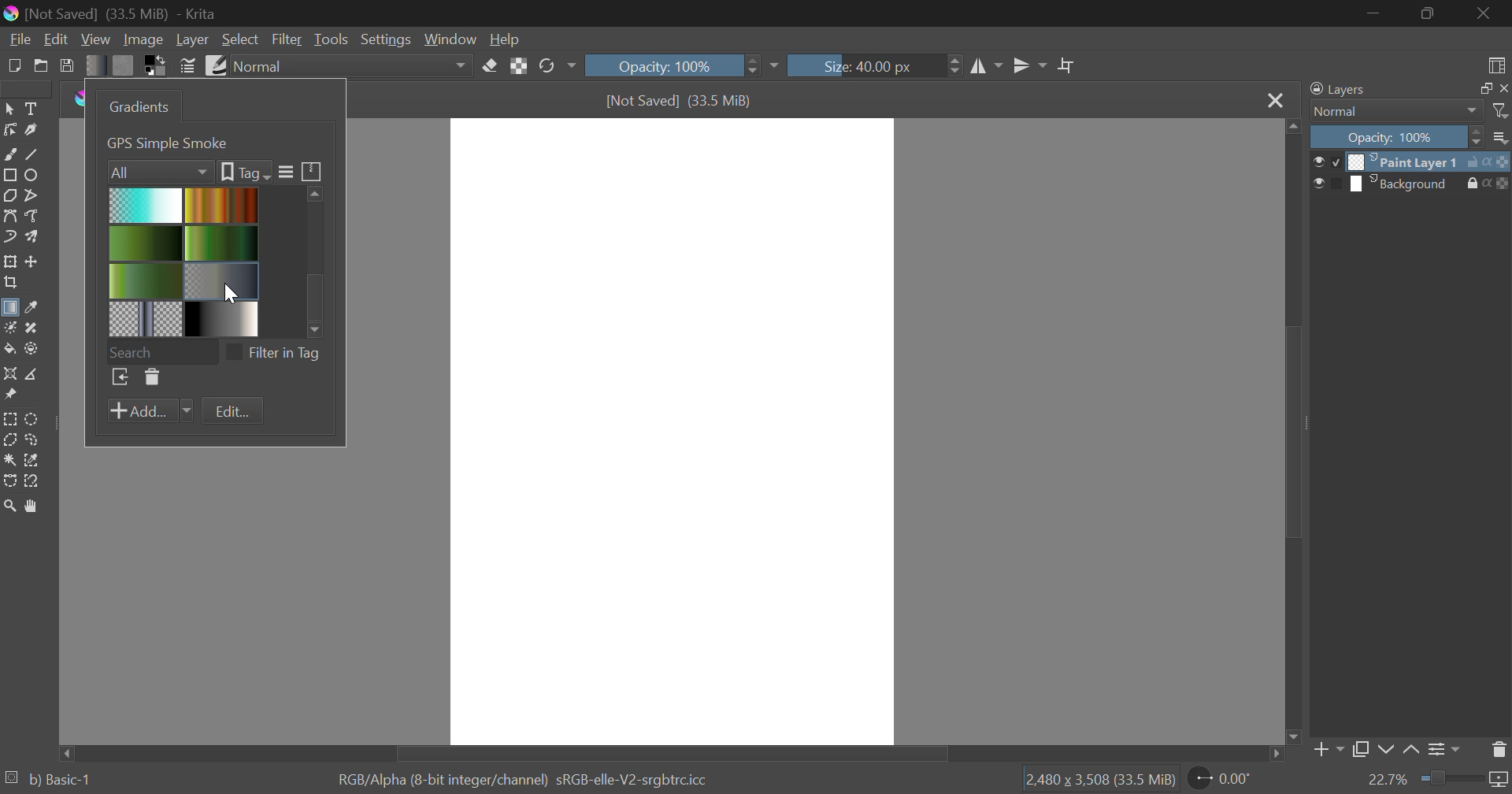 The height and width of the screenshot is (794, 1512). What do you see at coordinates (1328, 163) in the screenshot?
I see `preview` at bounding box center [1328, 163].